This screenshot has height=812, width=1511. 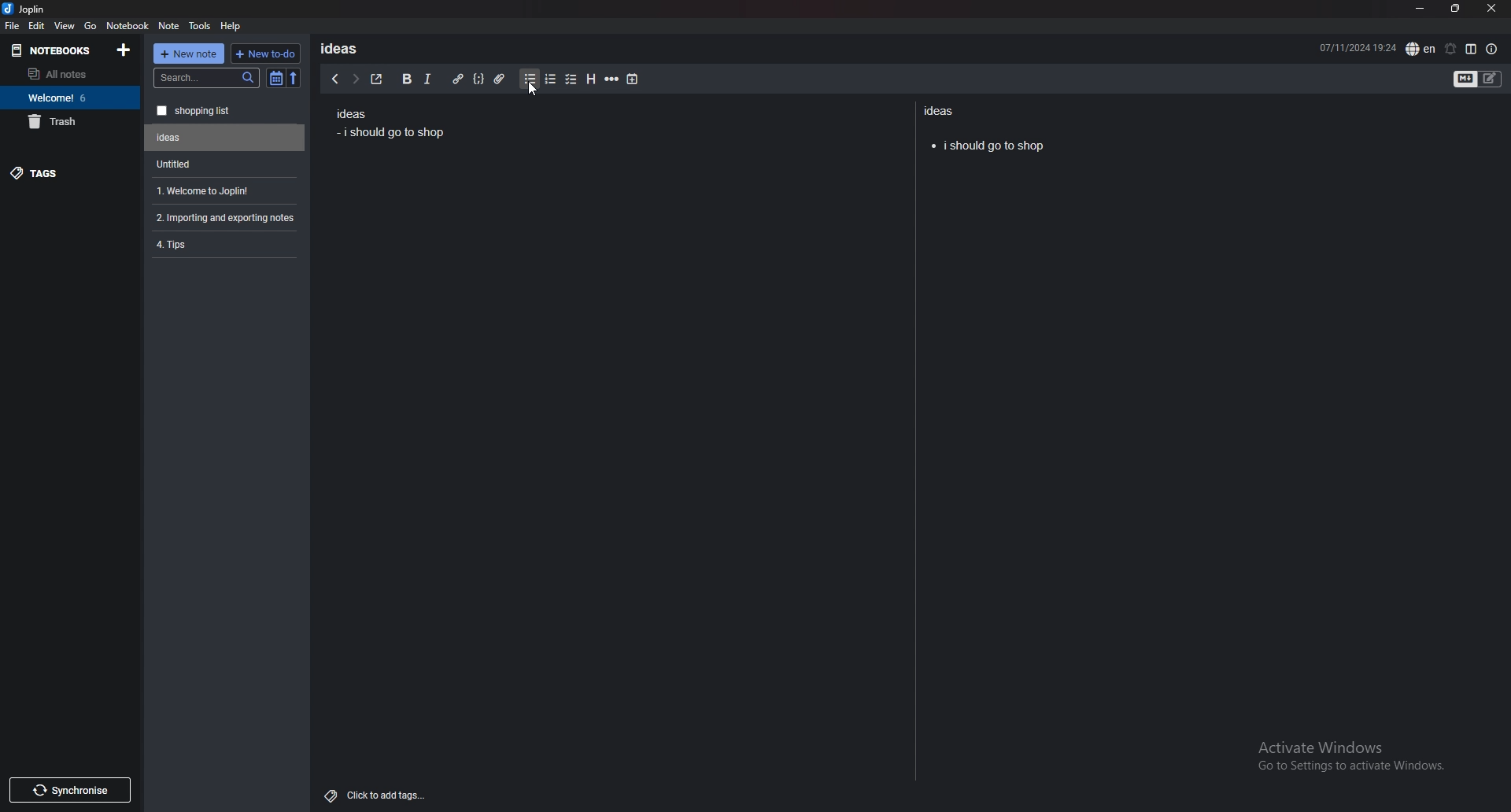 I want to click on add notebooks, so click(x=124, y=49).